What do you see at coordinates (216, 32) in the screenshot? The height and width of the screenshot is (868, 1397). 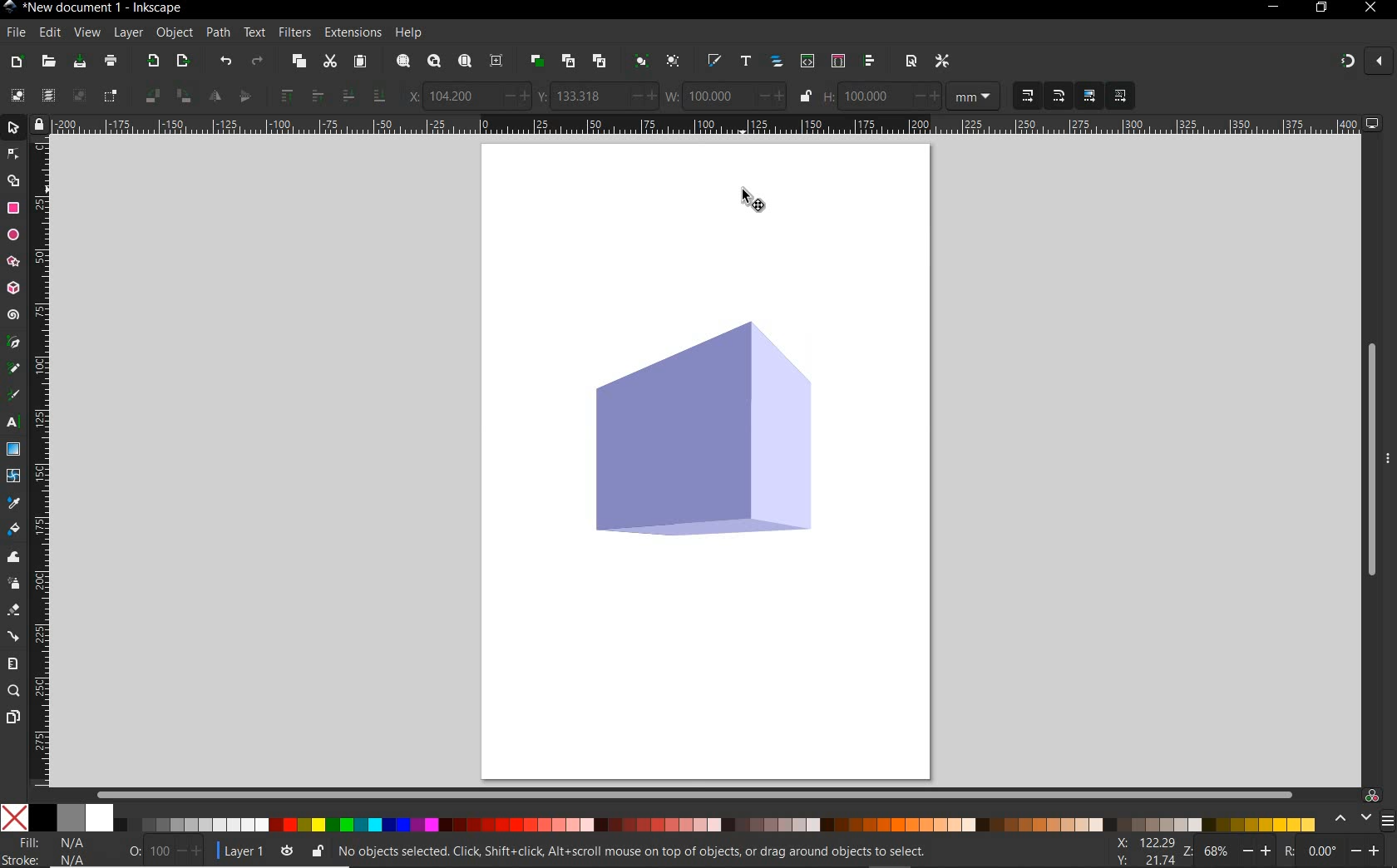 I see `path` at bounding box center [216, 32].